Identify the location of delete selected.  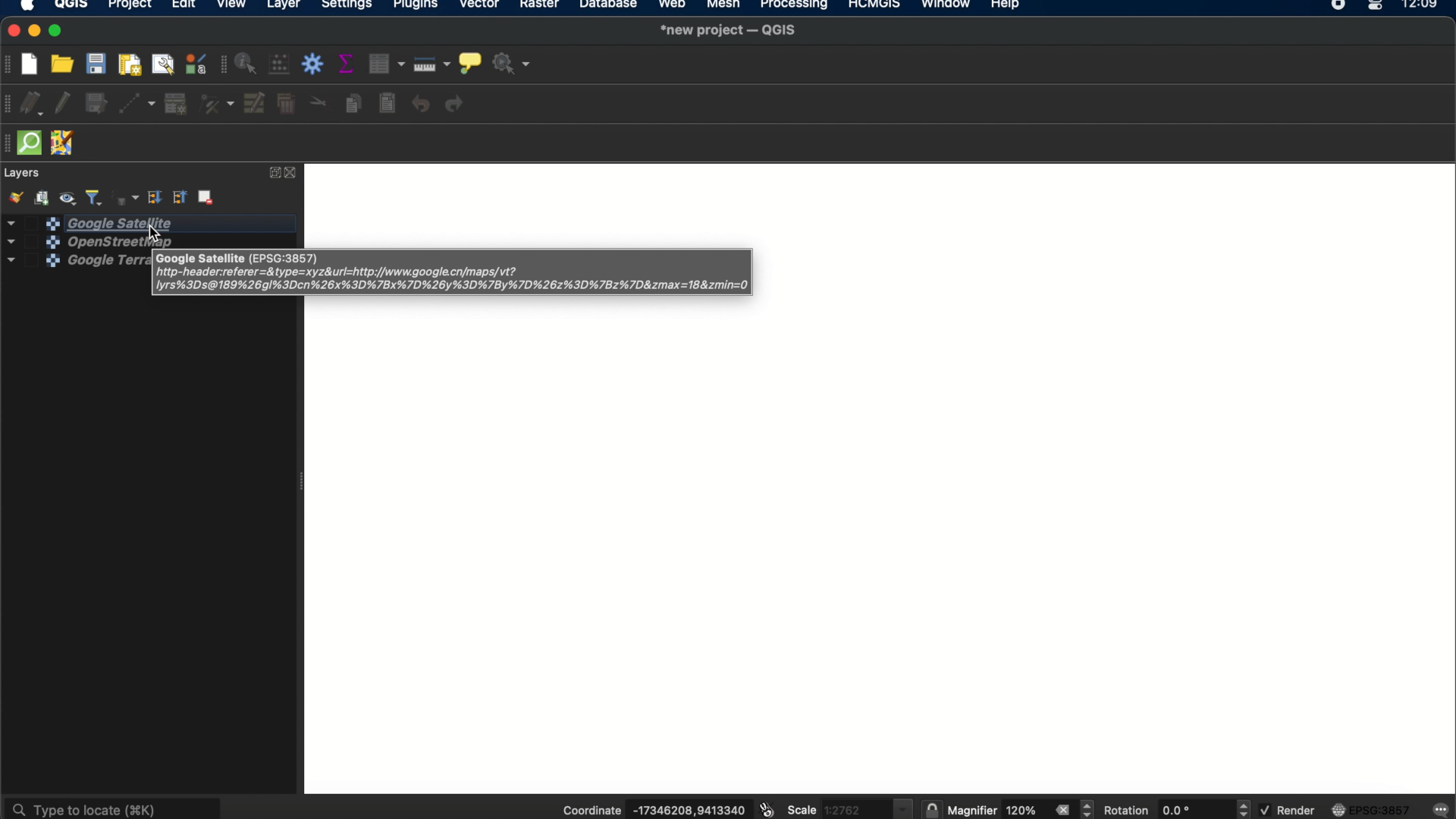
(286, 105).